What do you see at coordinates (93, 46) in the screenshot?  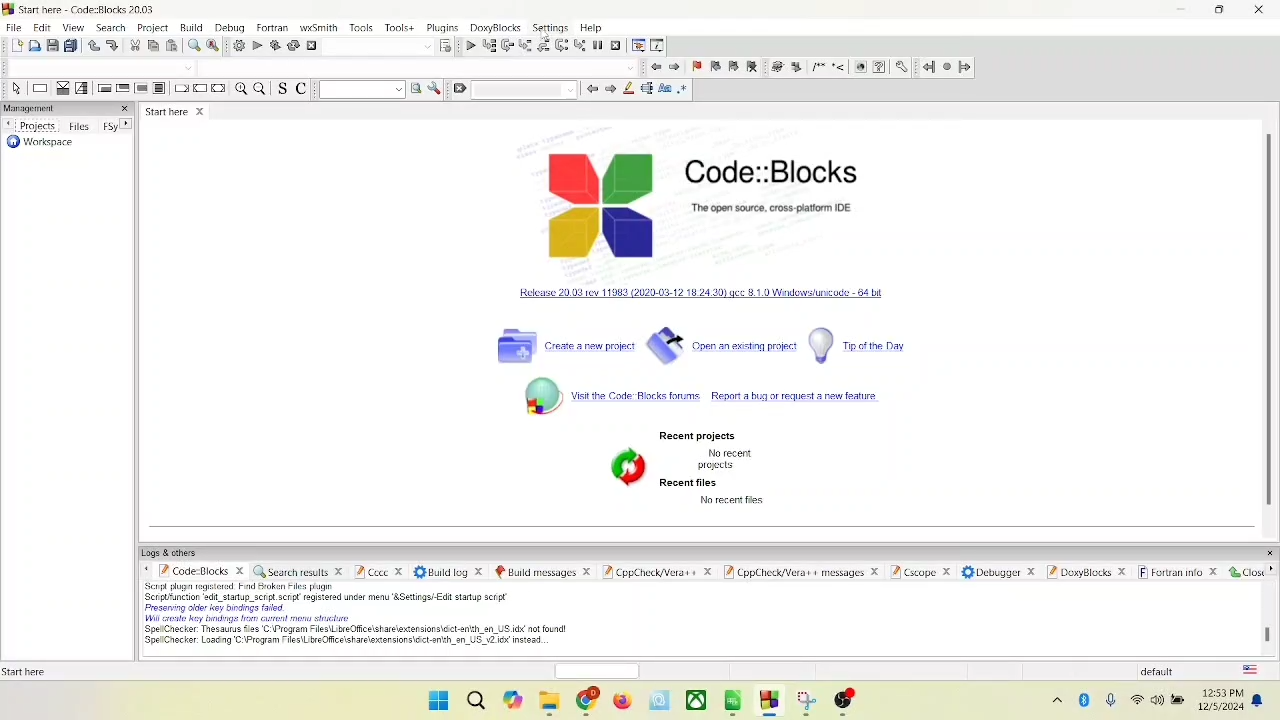 I see `undo` at bounding box center [93, 46].